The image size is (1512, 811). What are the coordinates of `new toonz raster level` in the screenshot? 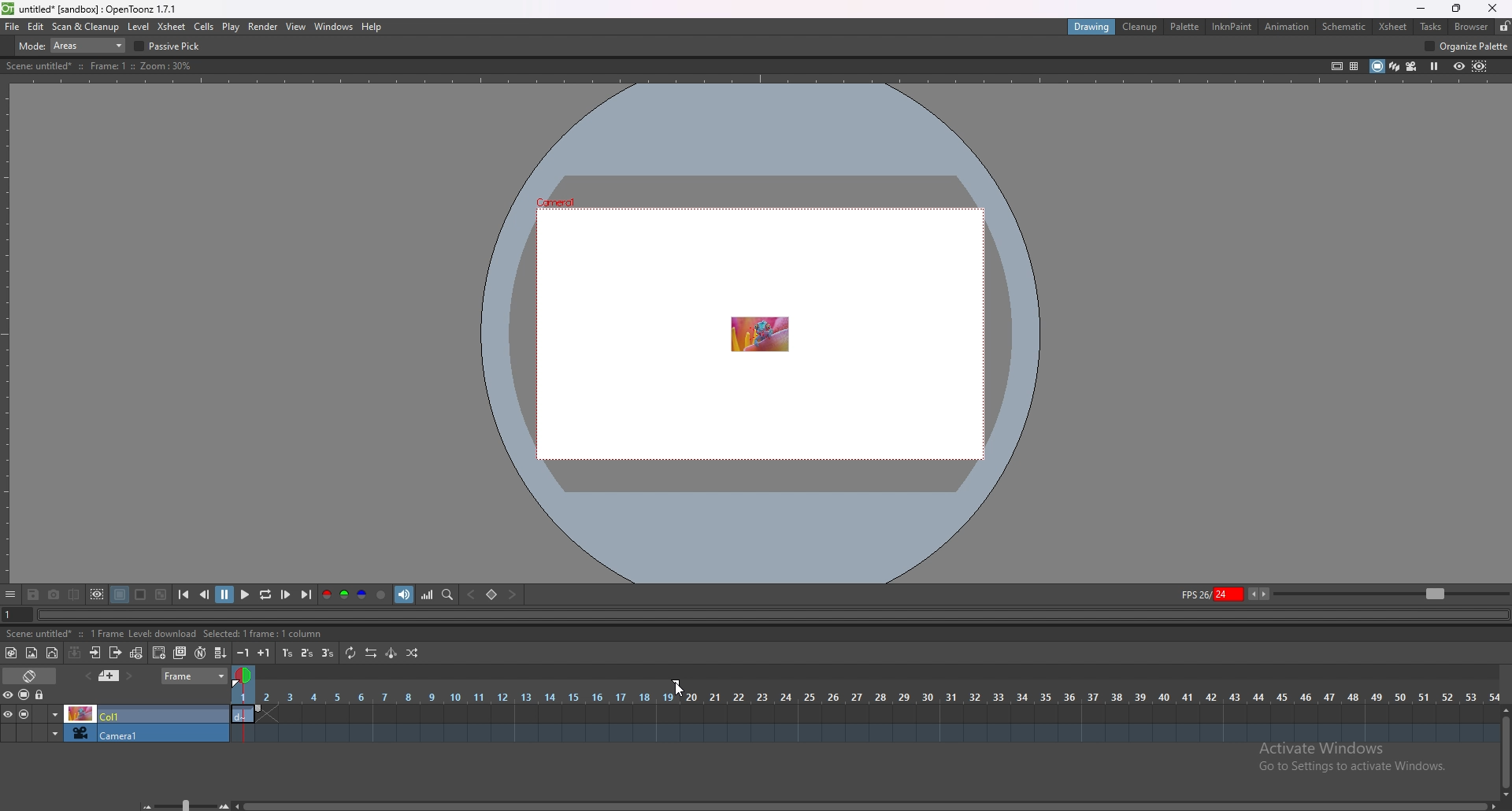 It's located at (12, 653).